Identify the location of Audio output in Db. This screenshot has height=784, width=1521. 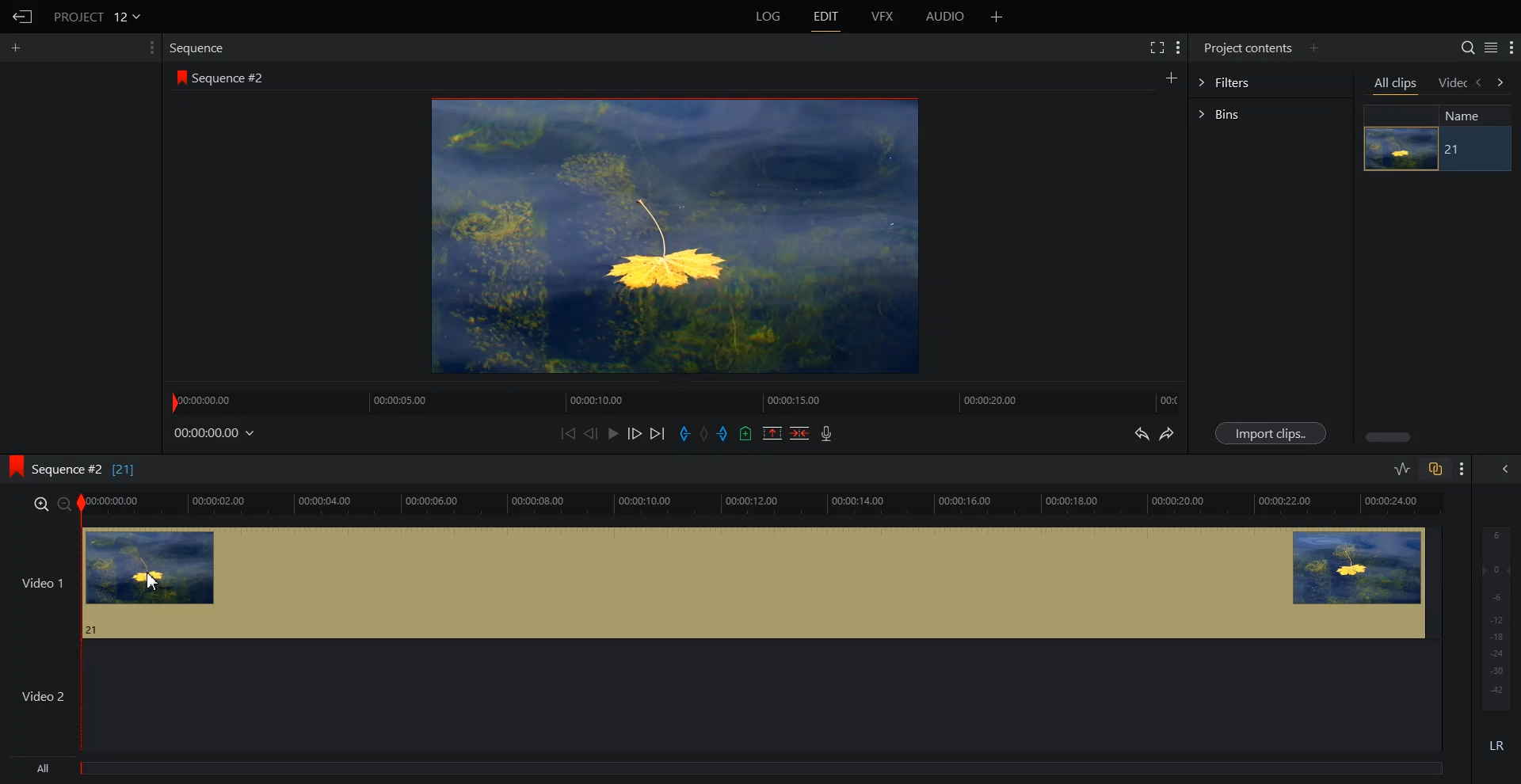
(1496, 617).